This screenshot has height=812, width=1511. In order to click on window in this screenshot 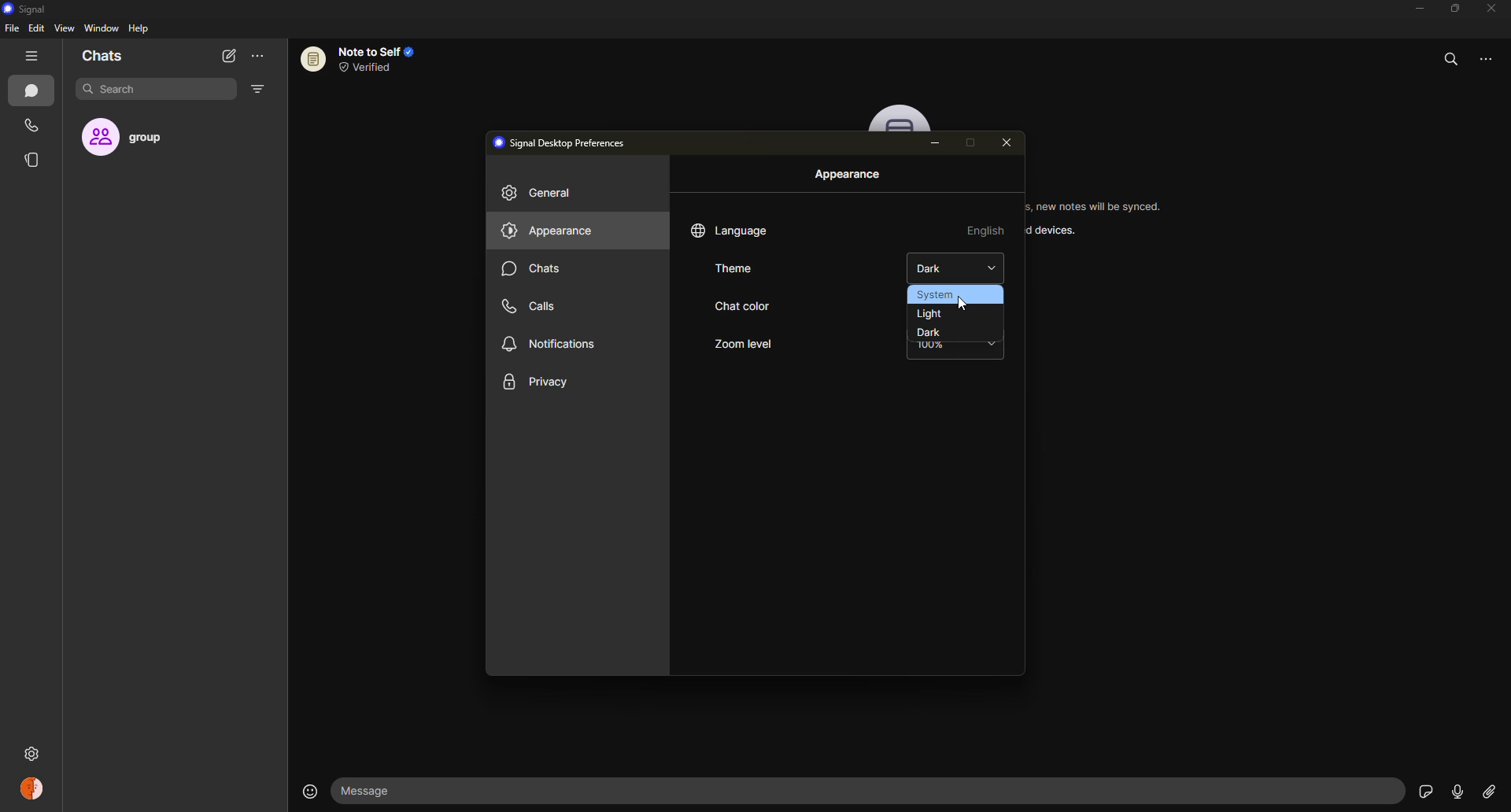, I will do `click(102, 29)`.